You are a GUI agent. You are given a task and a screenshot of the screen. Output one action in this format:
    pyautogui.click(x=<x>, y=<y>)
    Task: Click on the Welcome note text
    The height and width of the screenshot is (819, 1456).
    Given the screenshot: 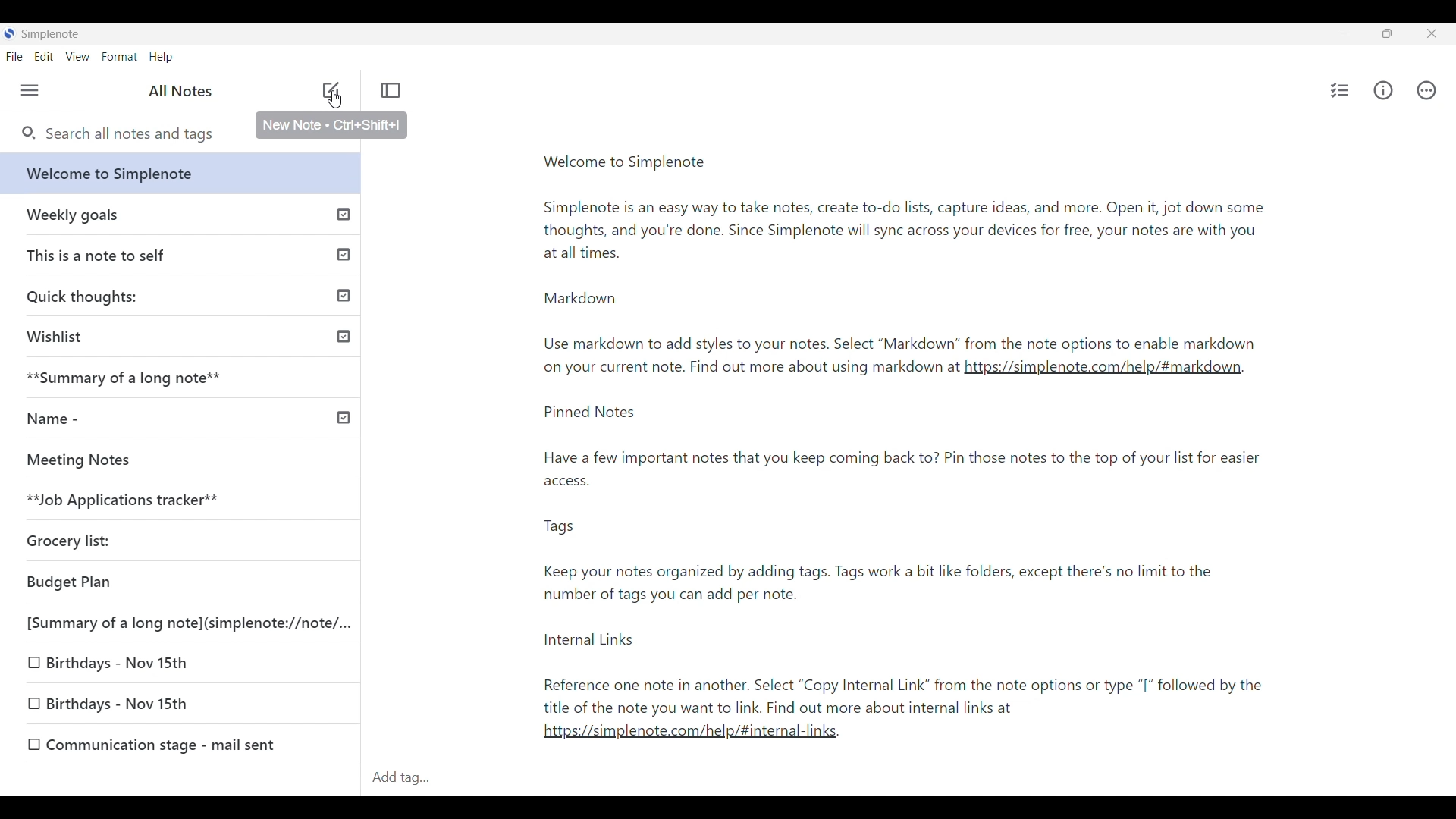 What is the action you would take?
    pyautogui.click(x=902, y=250)
    